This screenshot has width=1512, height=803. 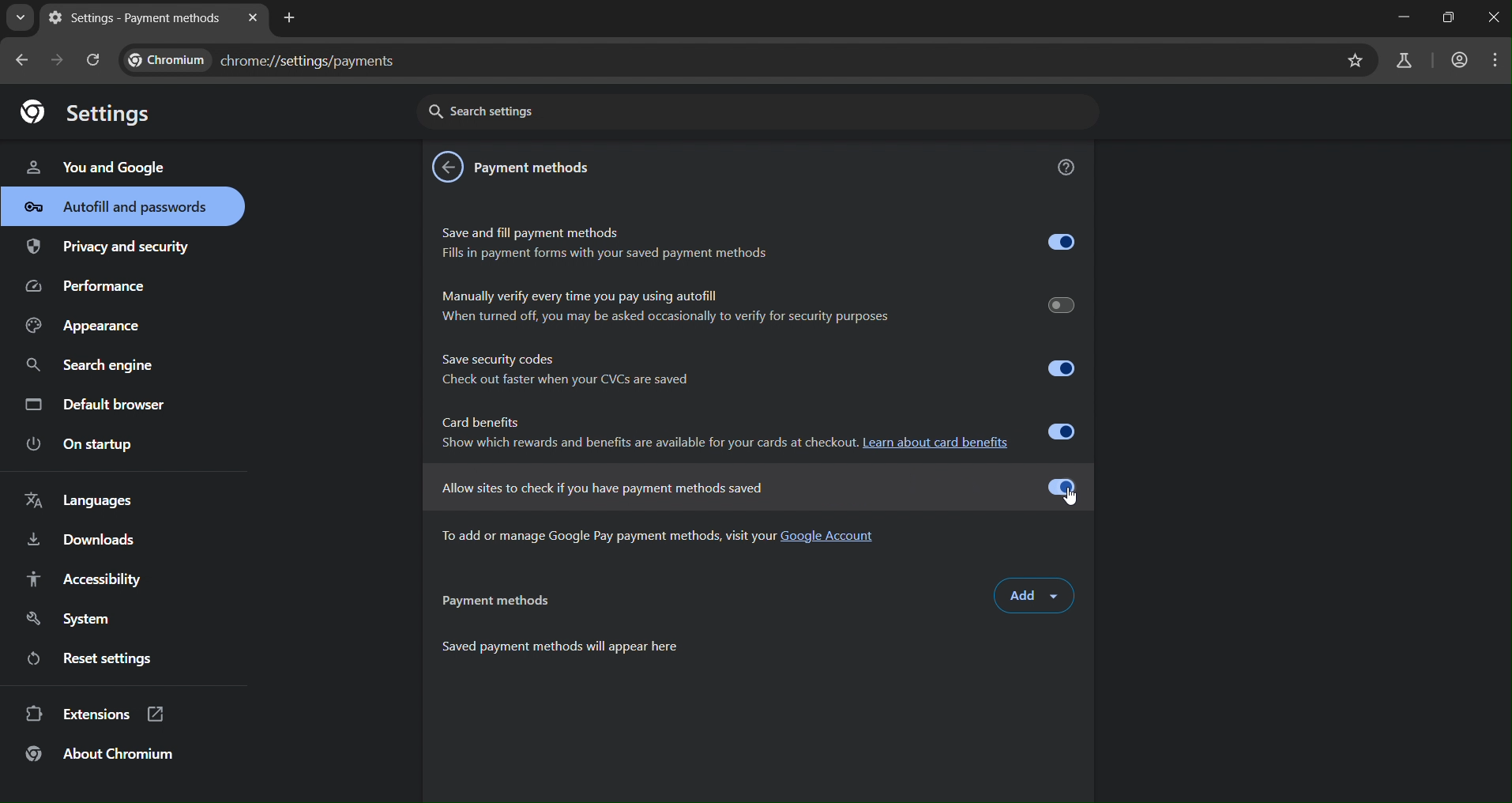 I want to click on Card benefits
Show which rewards and benefits are available for your cards at checkout. Learn about card benefits, so click(x=755, y=433).